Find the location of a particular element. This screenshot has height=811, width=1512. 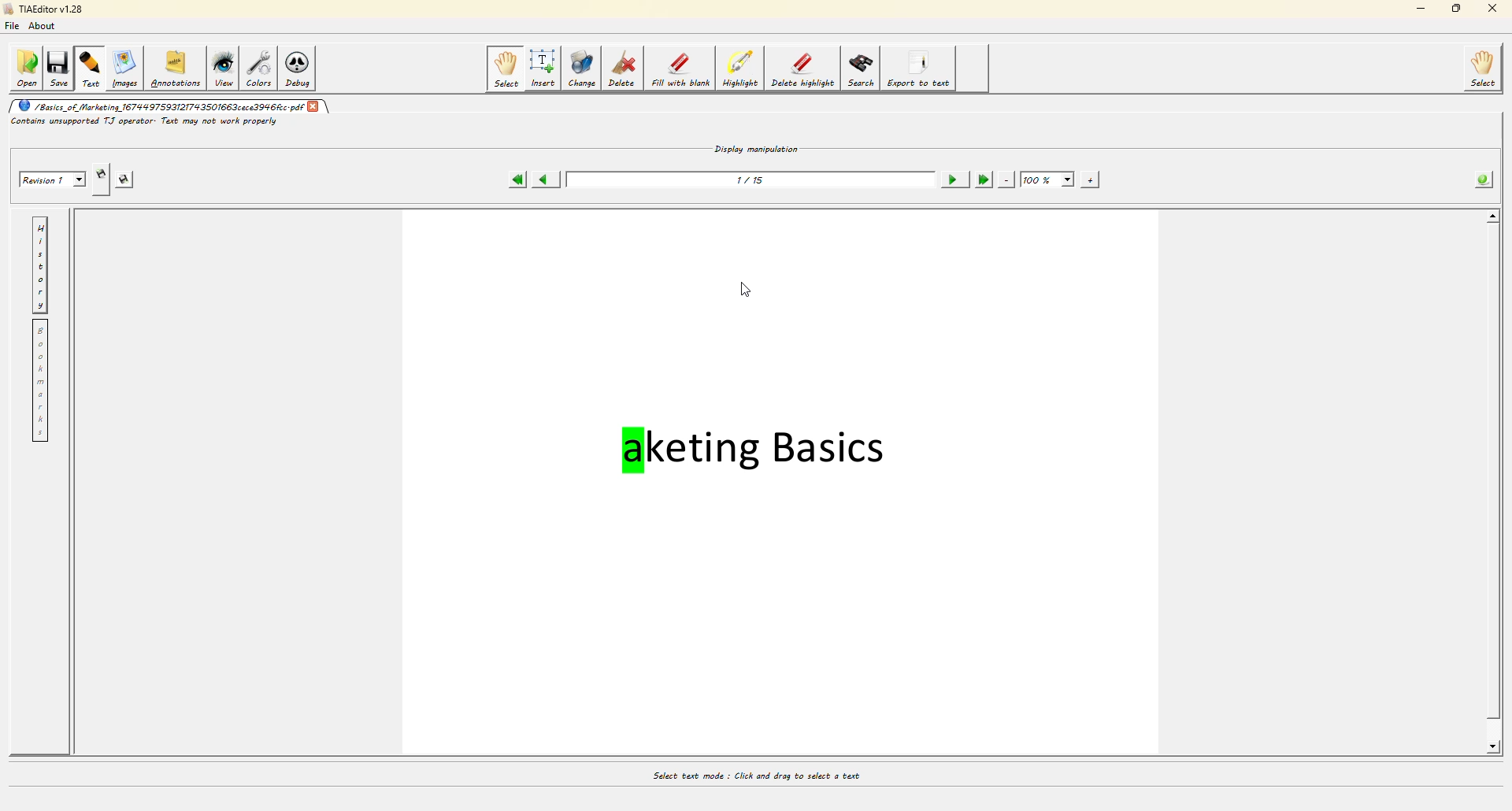

next page is located at coordinates (951, 179).